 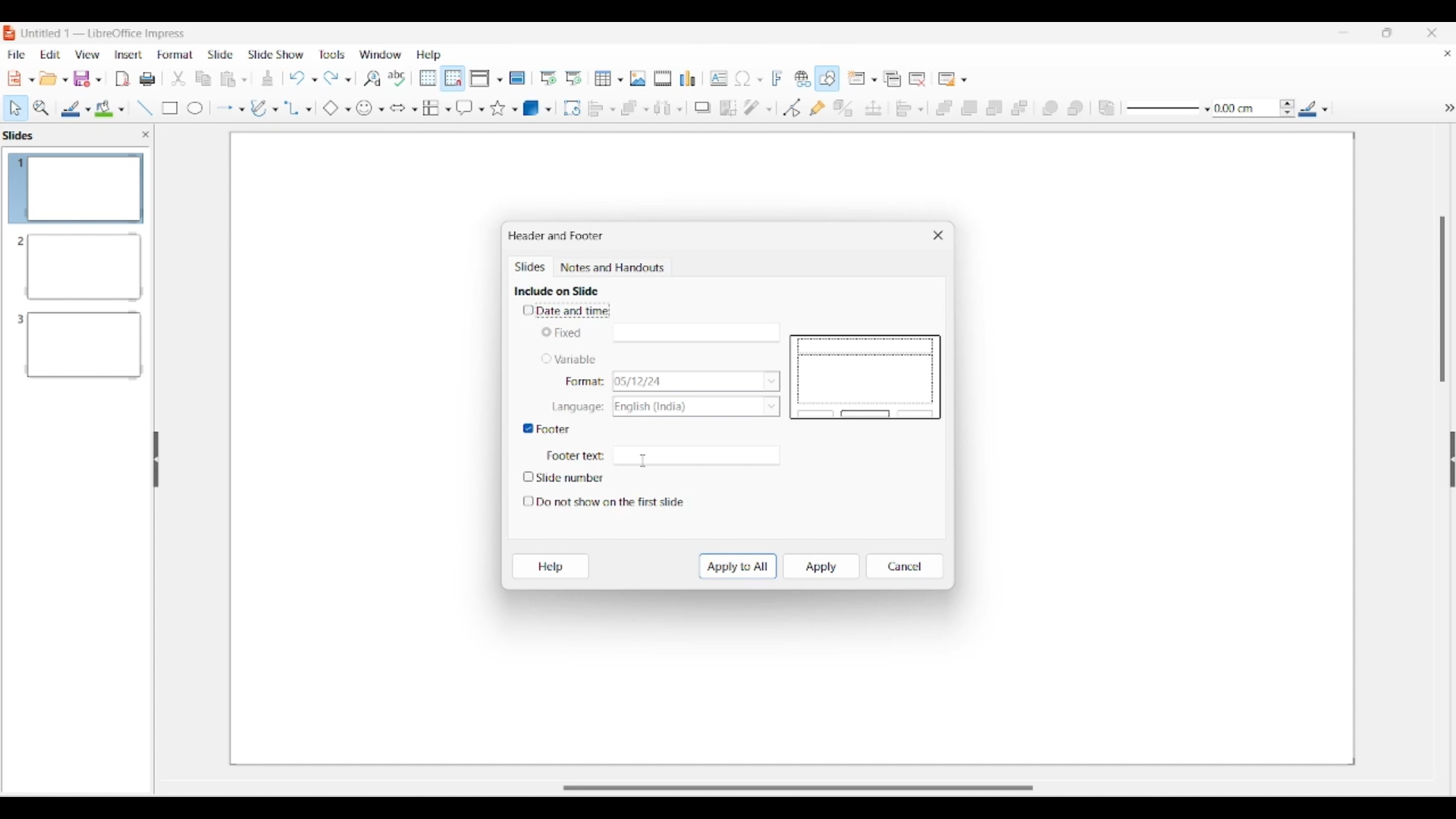 What do you see at coordinates (10, 33) in the screenshot?
I see `Software logo` at bounding box center [10, 33].